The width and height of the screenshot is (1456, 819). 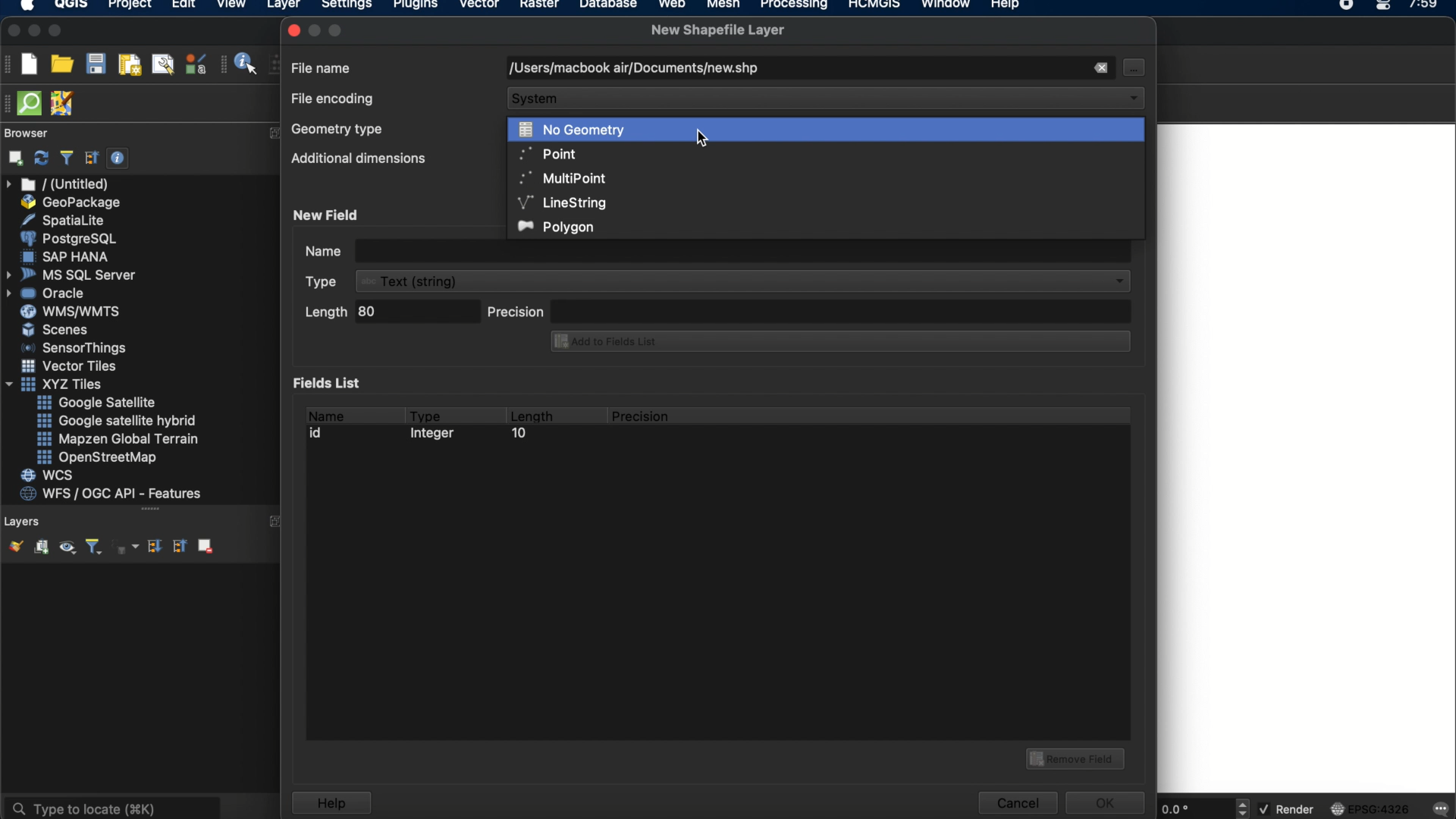 I want to click on QuickOSM, so click(x=33, y=103).